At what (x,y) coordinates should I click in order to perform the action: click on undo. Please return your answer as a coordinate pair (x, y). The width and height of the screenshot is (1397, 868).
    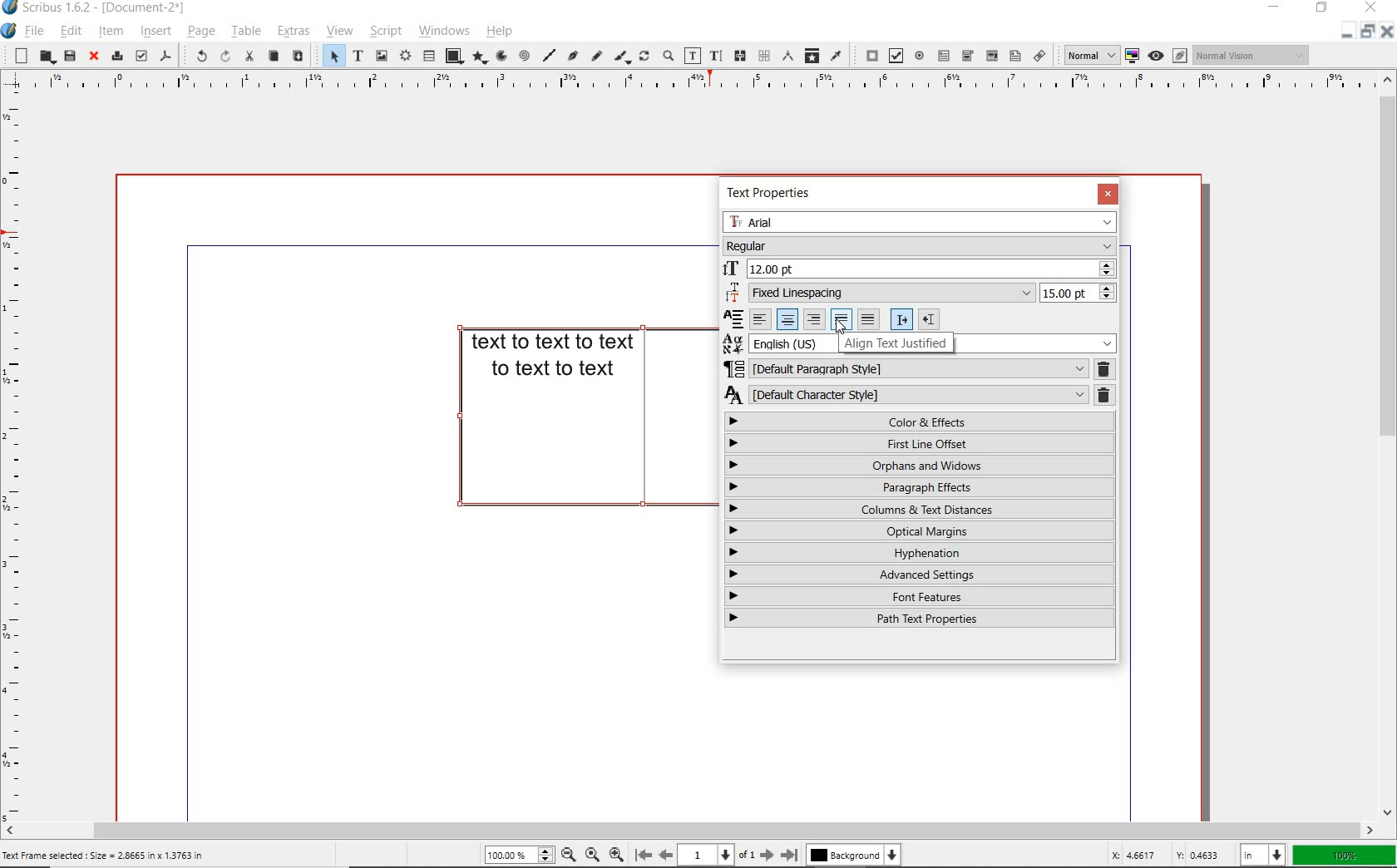
    Looking at the image, I should click on (198, 56).